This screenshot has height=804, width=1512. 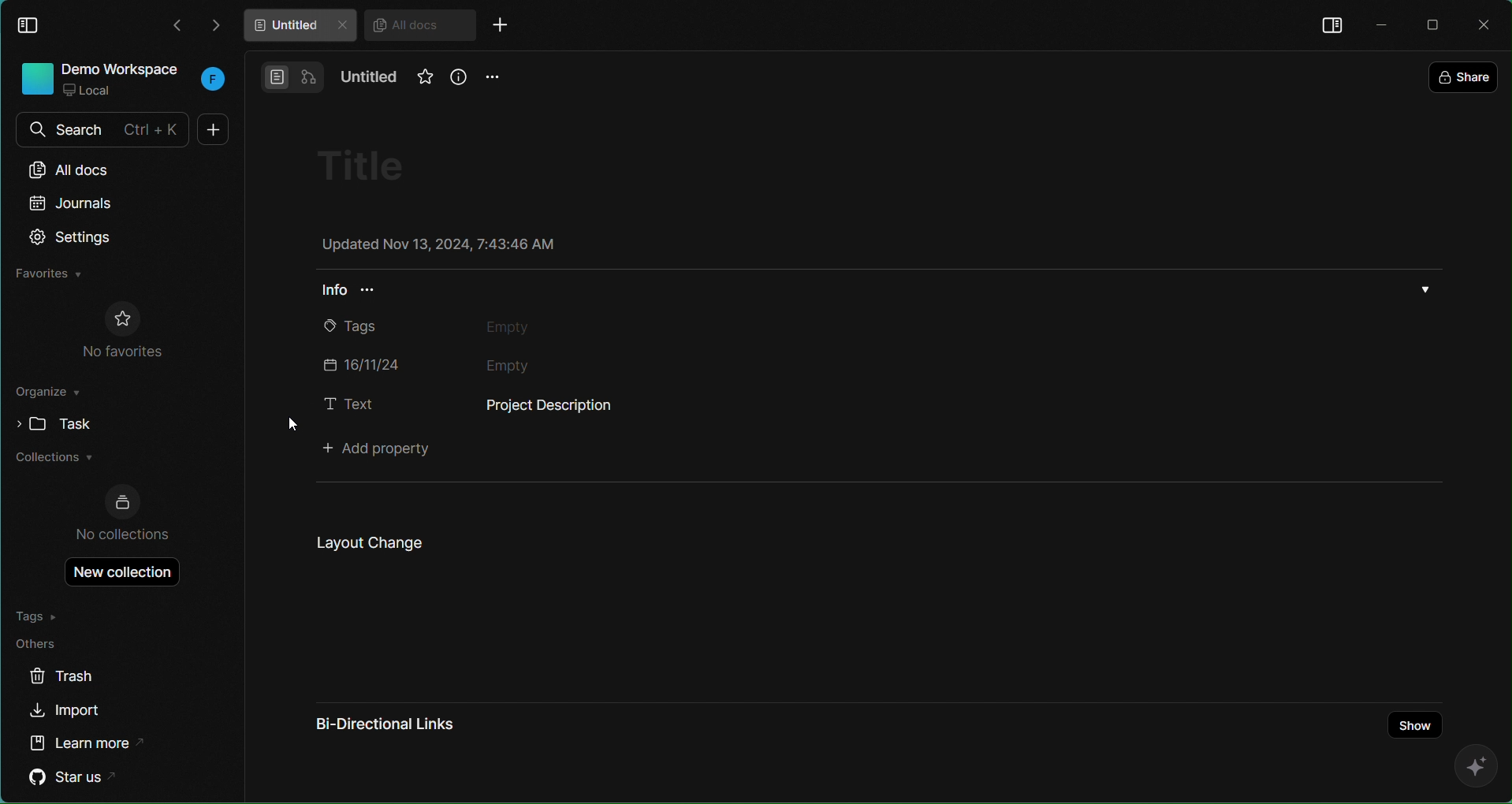 I want to click on +, so click(x=210, y=129).